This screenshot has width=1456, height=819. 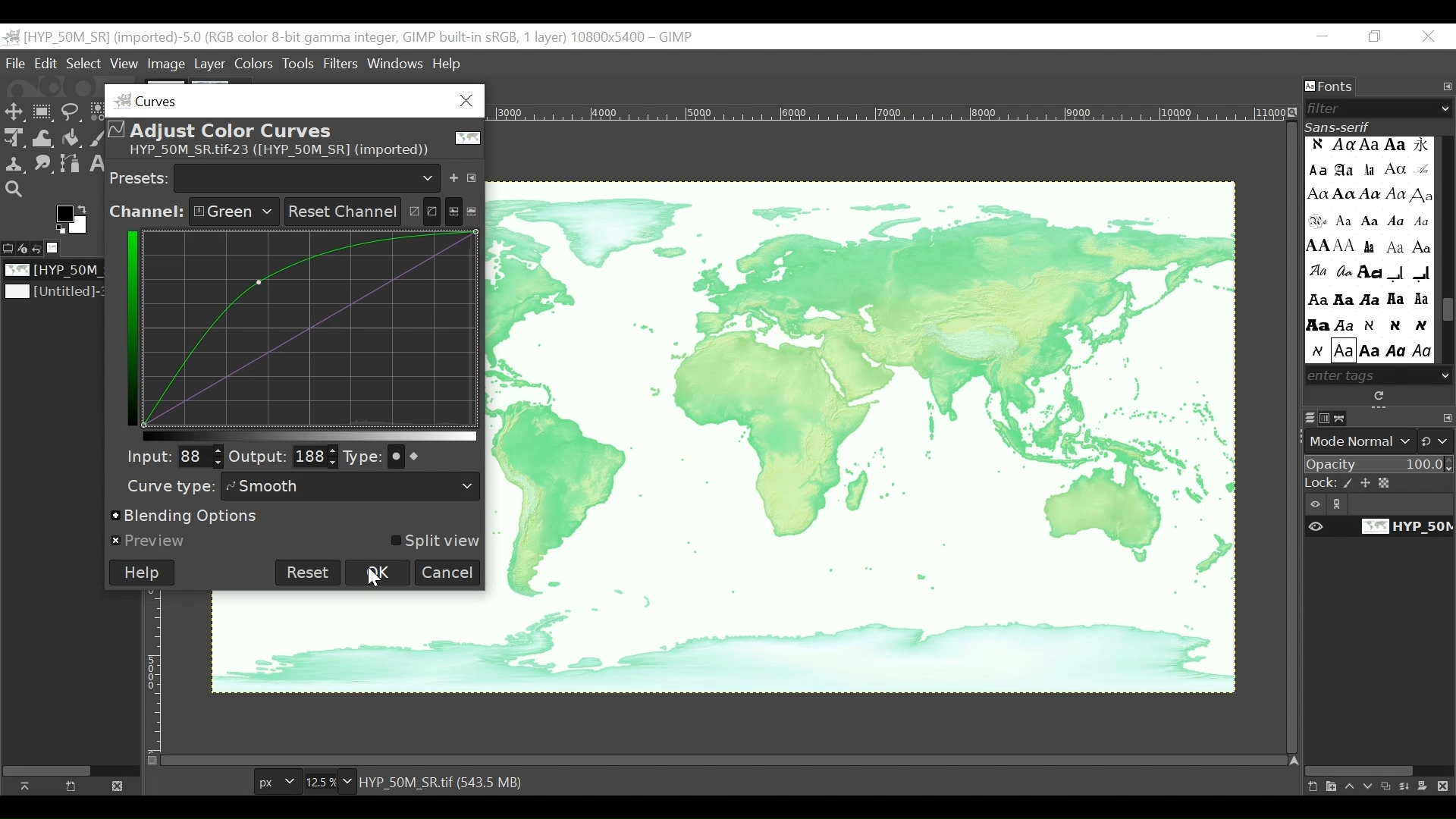 I want to click on Curve type, so click(x=167, y=486).